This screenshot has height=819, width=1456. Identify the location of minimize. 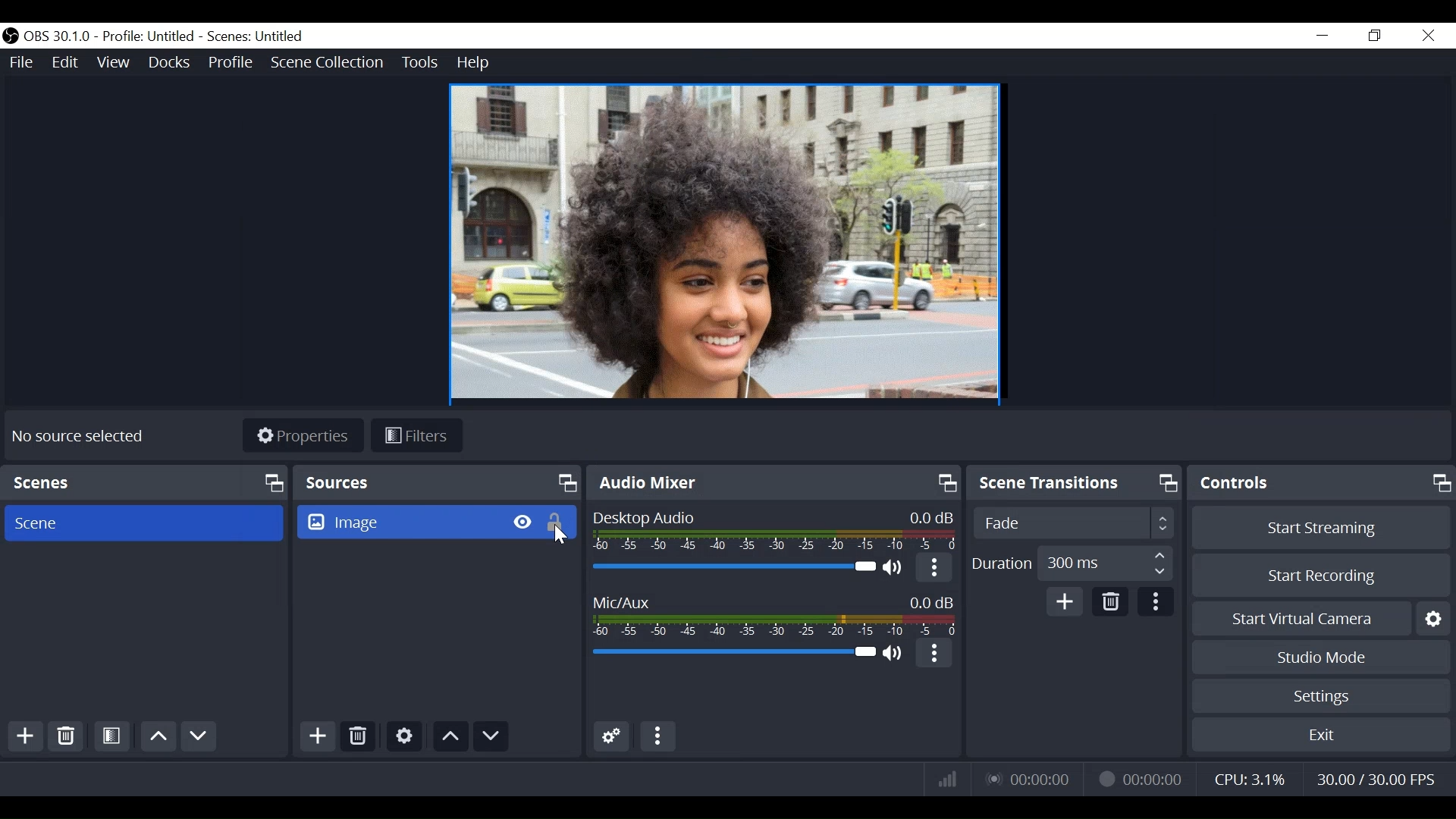
(1322, 35).